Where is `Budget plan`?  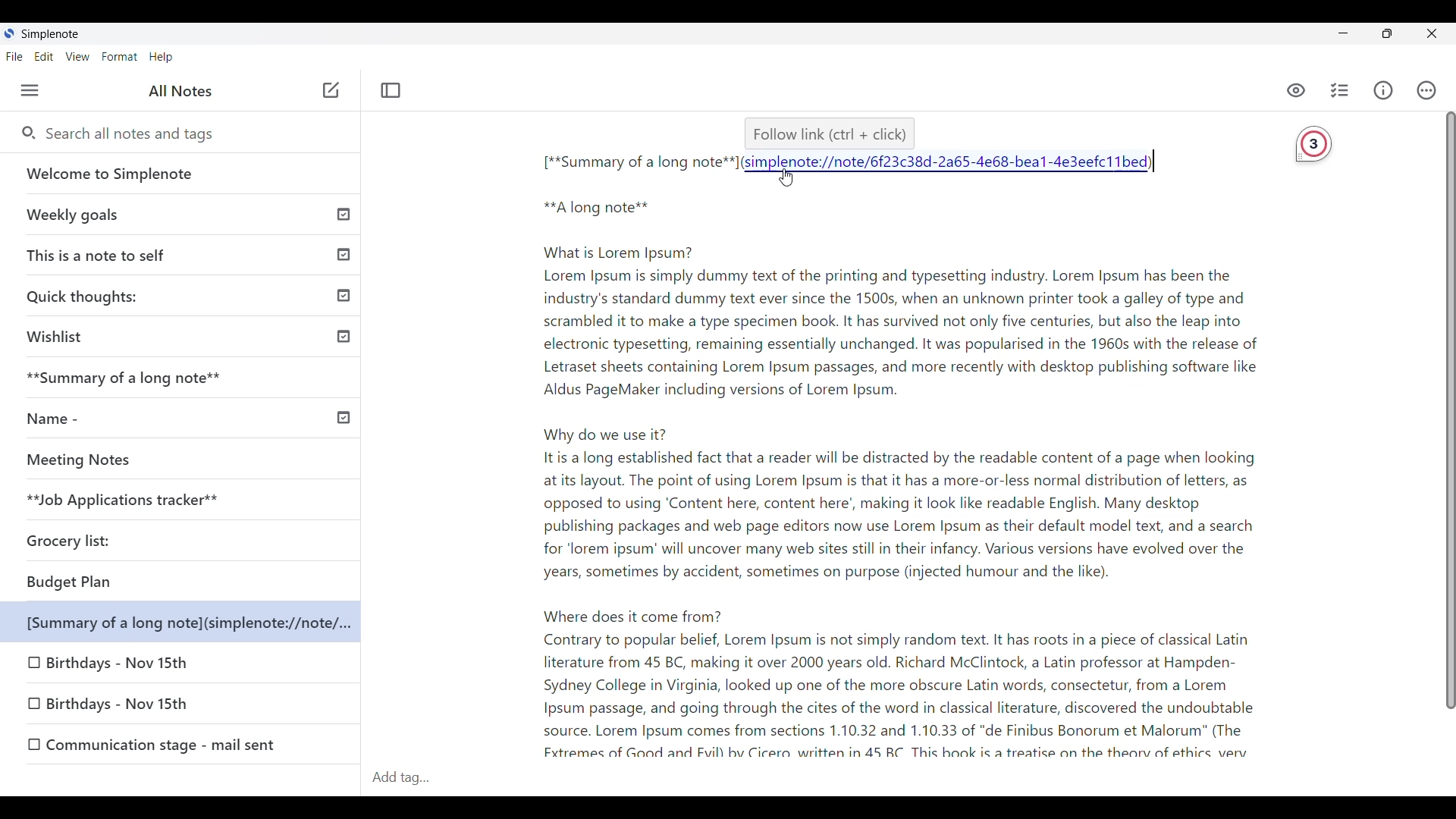 Budget plan is located at coordinates (127, 582).